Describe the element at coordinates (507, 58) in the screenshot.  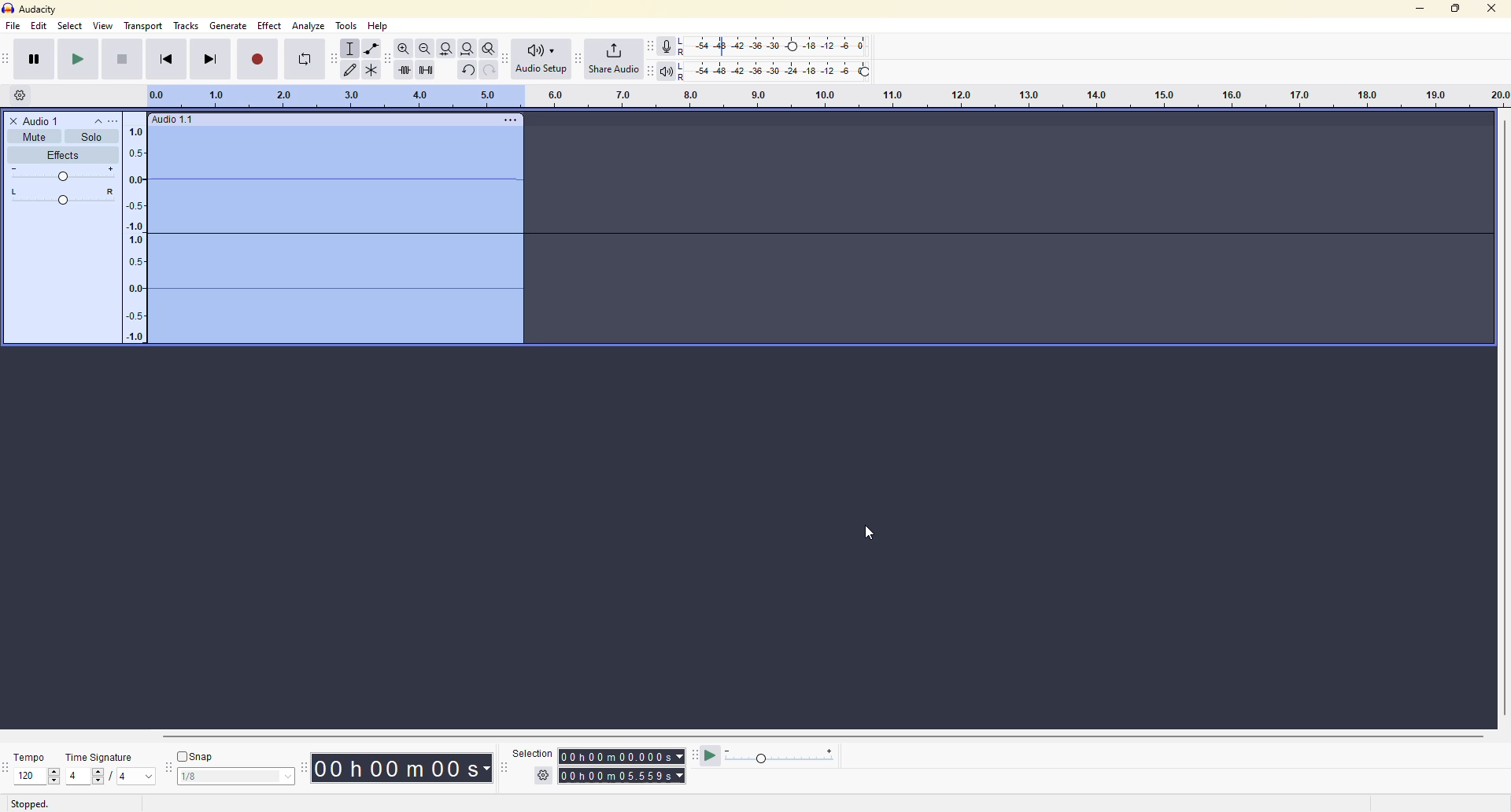
I see `audio setup toolbar` at that location.